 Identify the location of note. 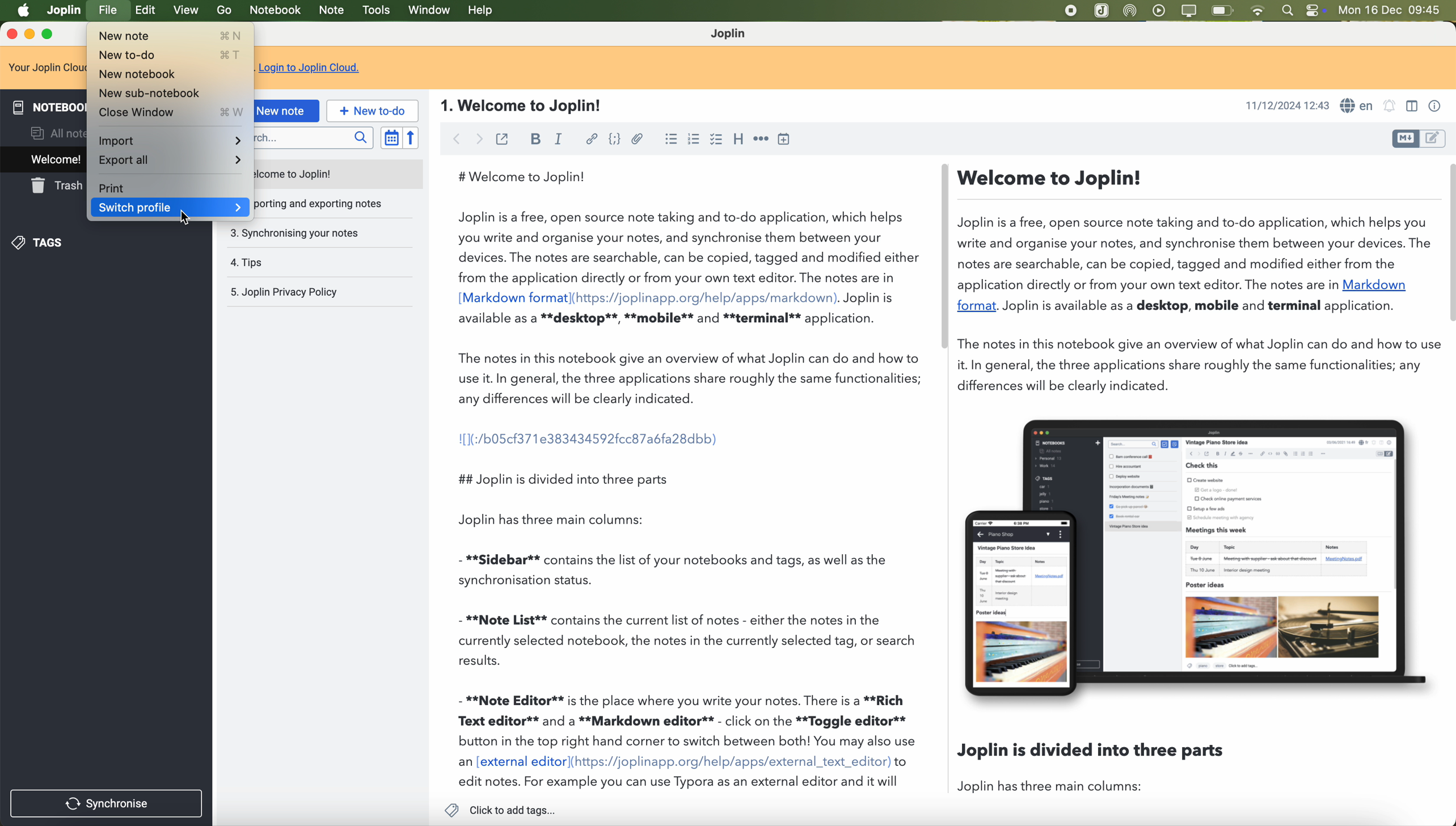
(333, 11).